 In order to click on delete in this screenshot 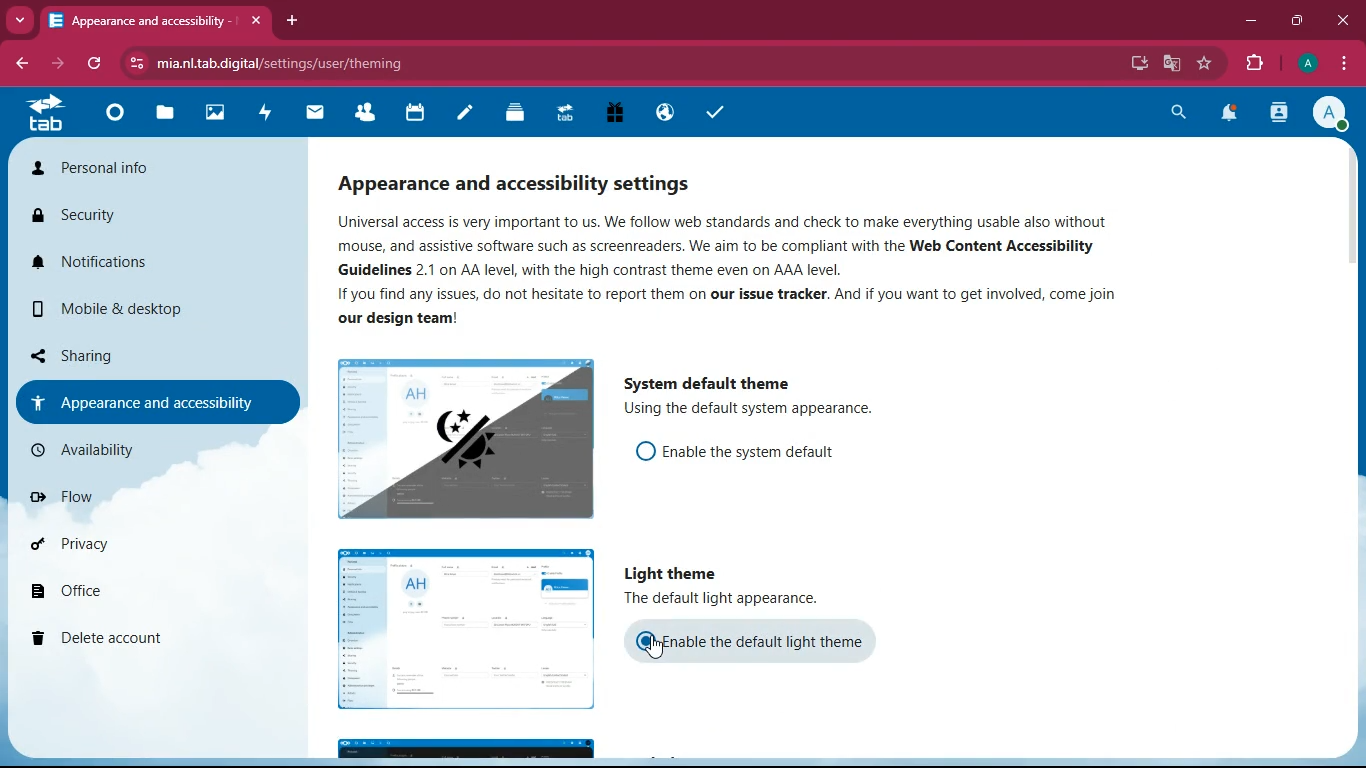, I will do `click(152, 636)`.